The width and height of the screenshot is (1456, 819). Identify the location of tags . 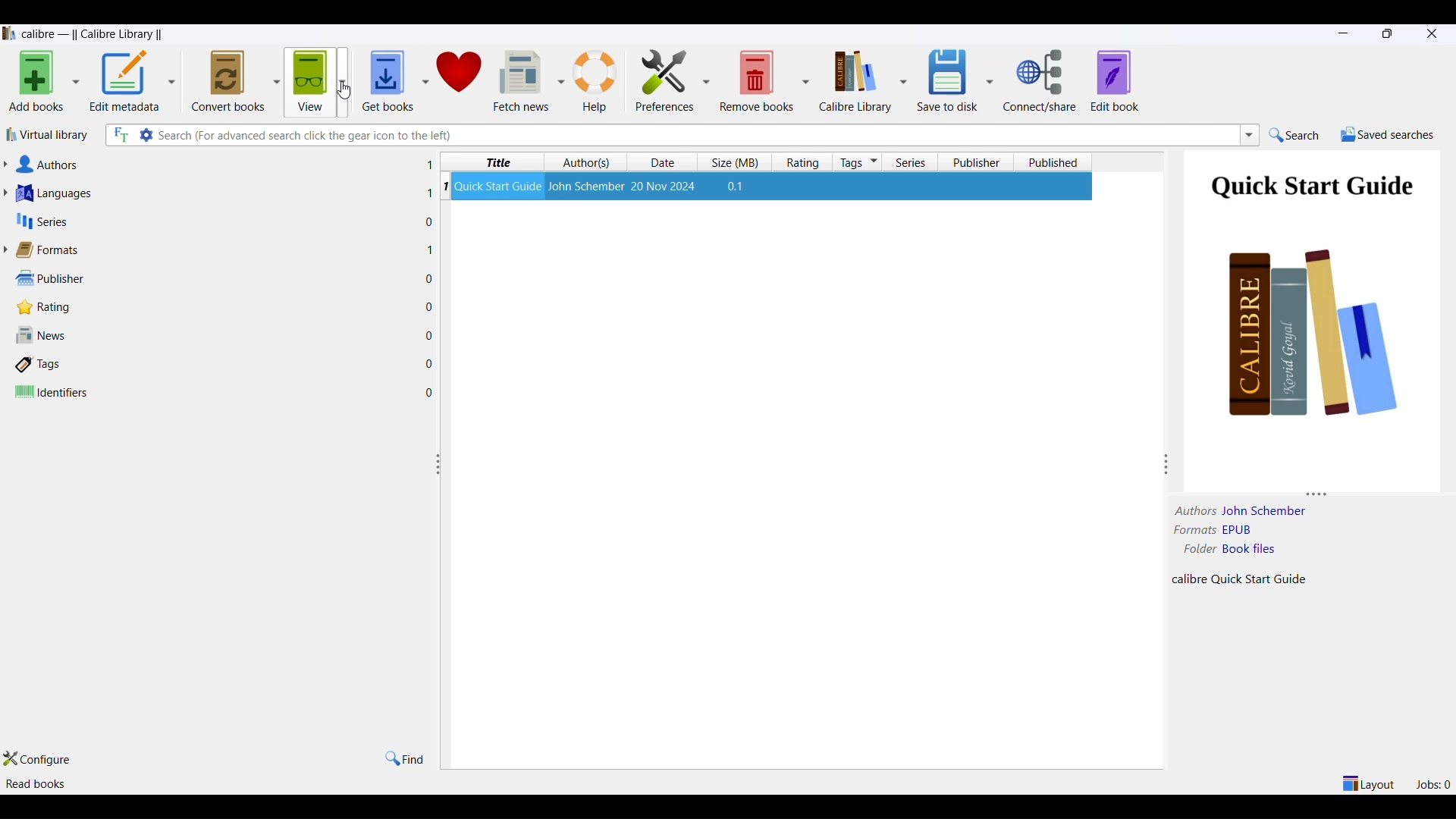
(228, 362).